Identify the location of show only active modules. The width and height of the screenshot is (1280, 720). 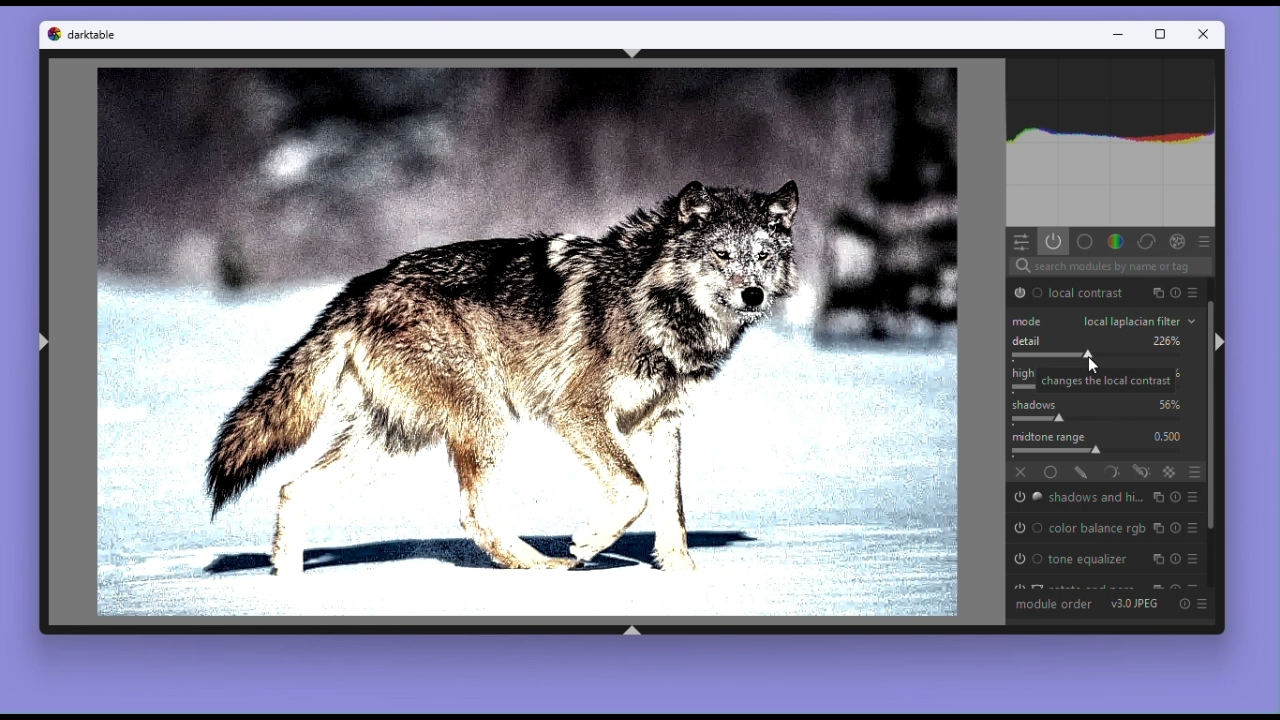
(1055, 242).